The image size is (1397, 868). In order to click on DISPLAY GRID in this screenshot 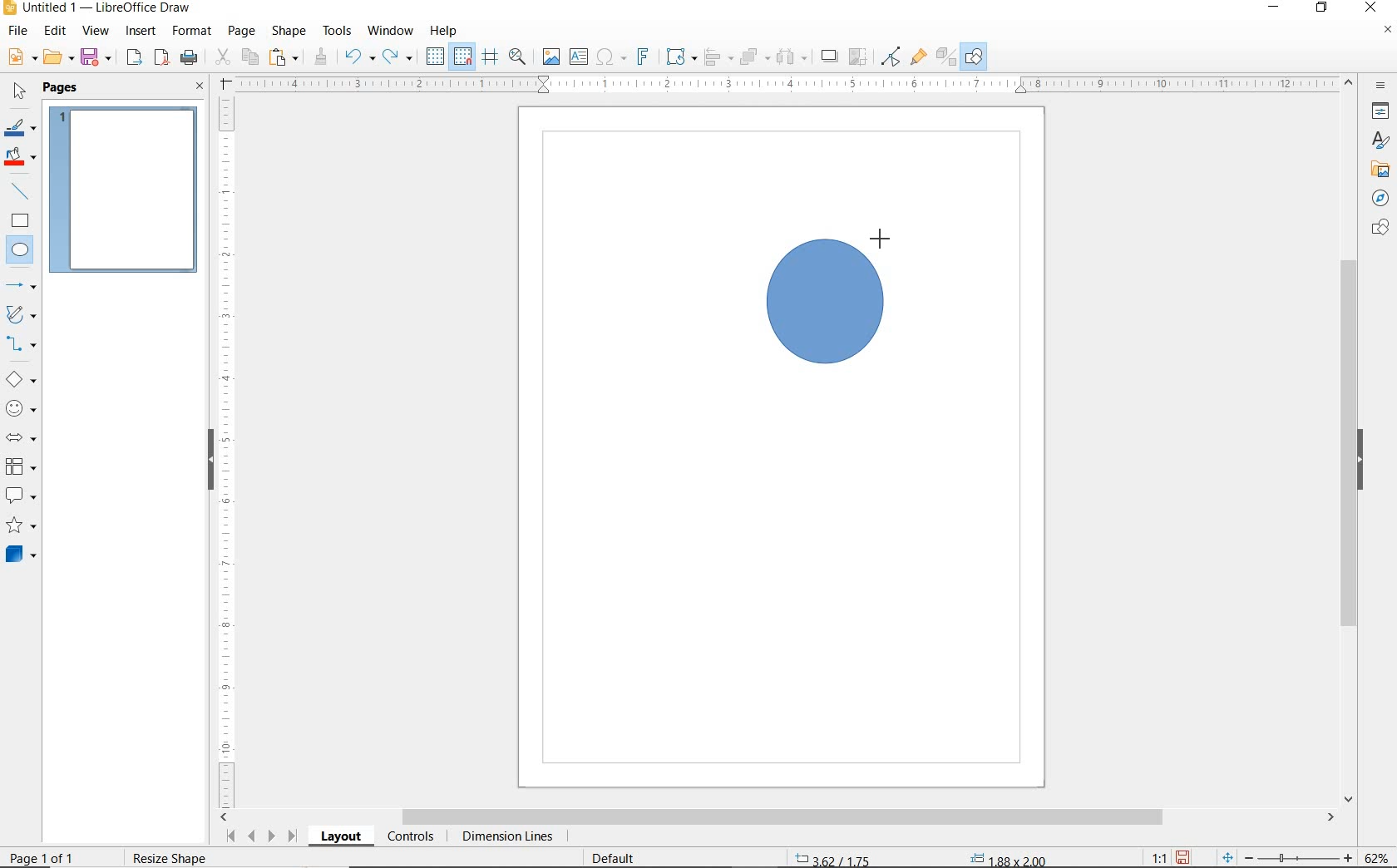, I will do `click(437, 57)`.